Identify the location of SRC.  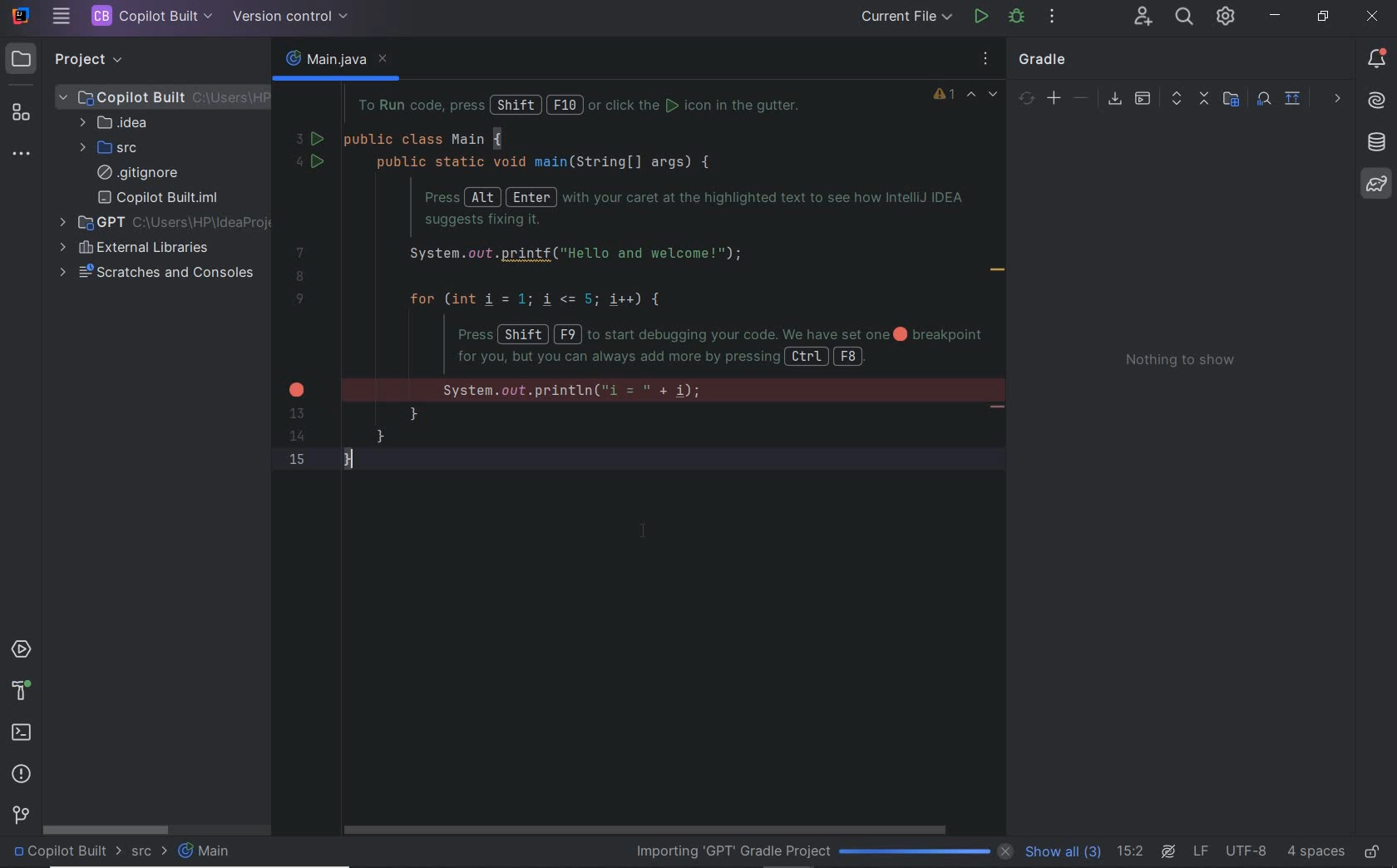
(111, 147).